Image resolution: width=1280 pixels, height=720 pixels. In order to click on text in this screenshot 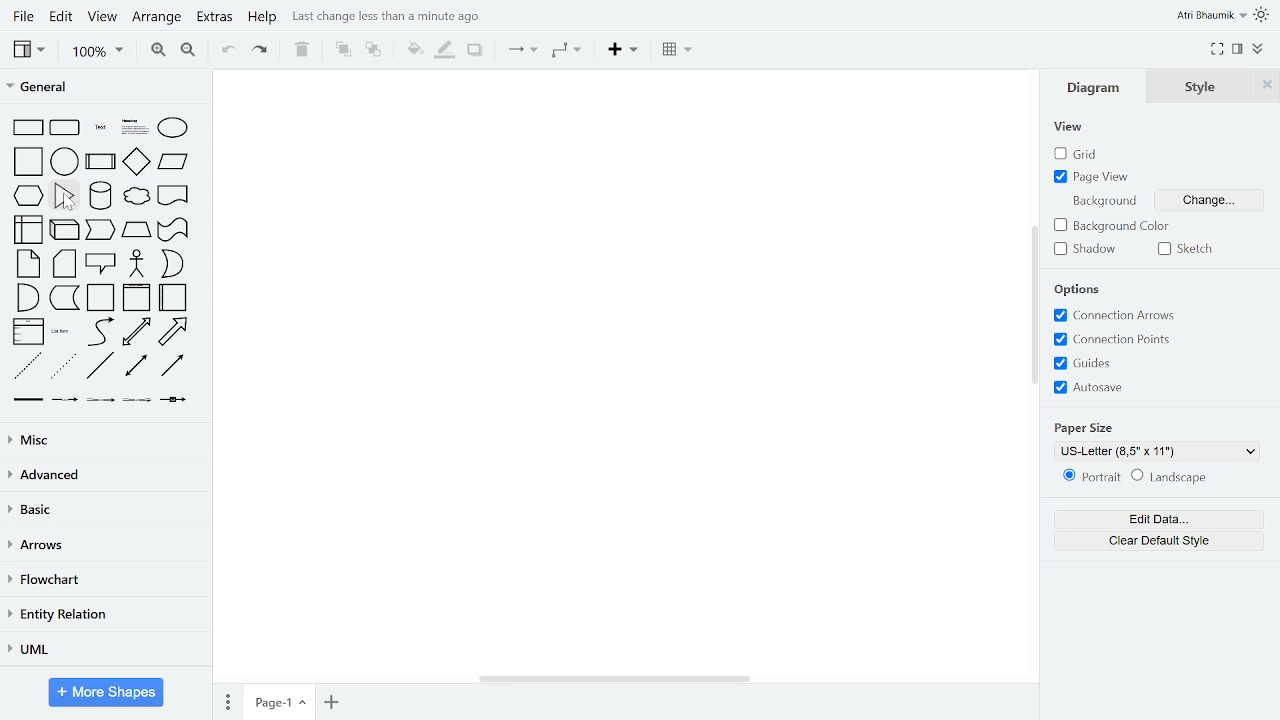, I will do `click(99, 128)`.